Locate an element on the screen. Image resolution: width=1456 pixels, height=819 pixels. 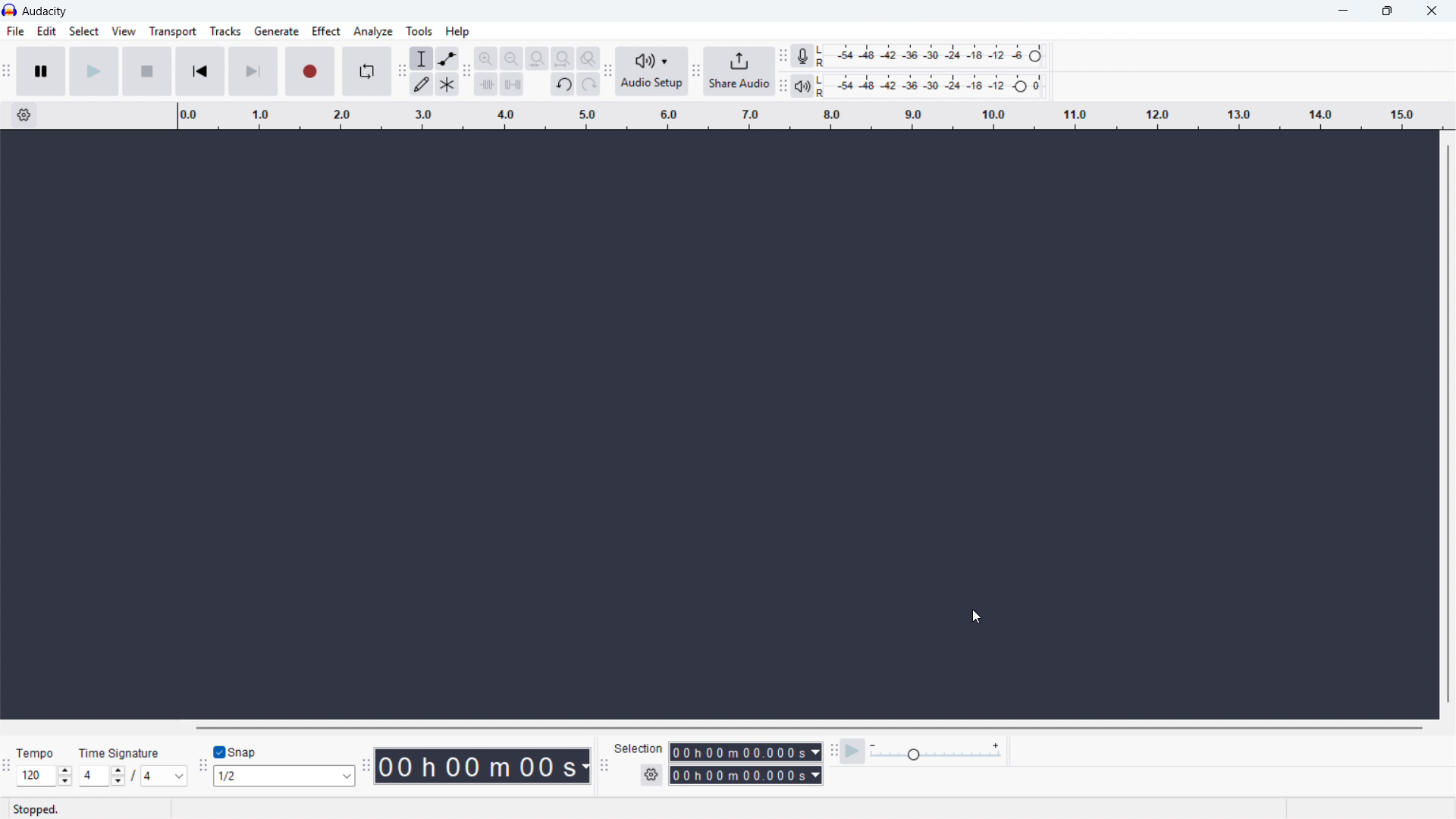
zoom out is located at coordinates (511, 58).